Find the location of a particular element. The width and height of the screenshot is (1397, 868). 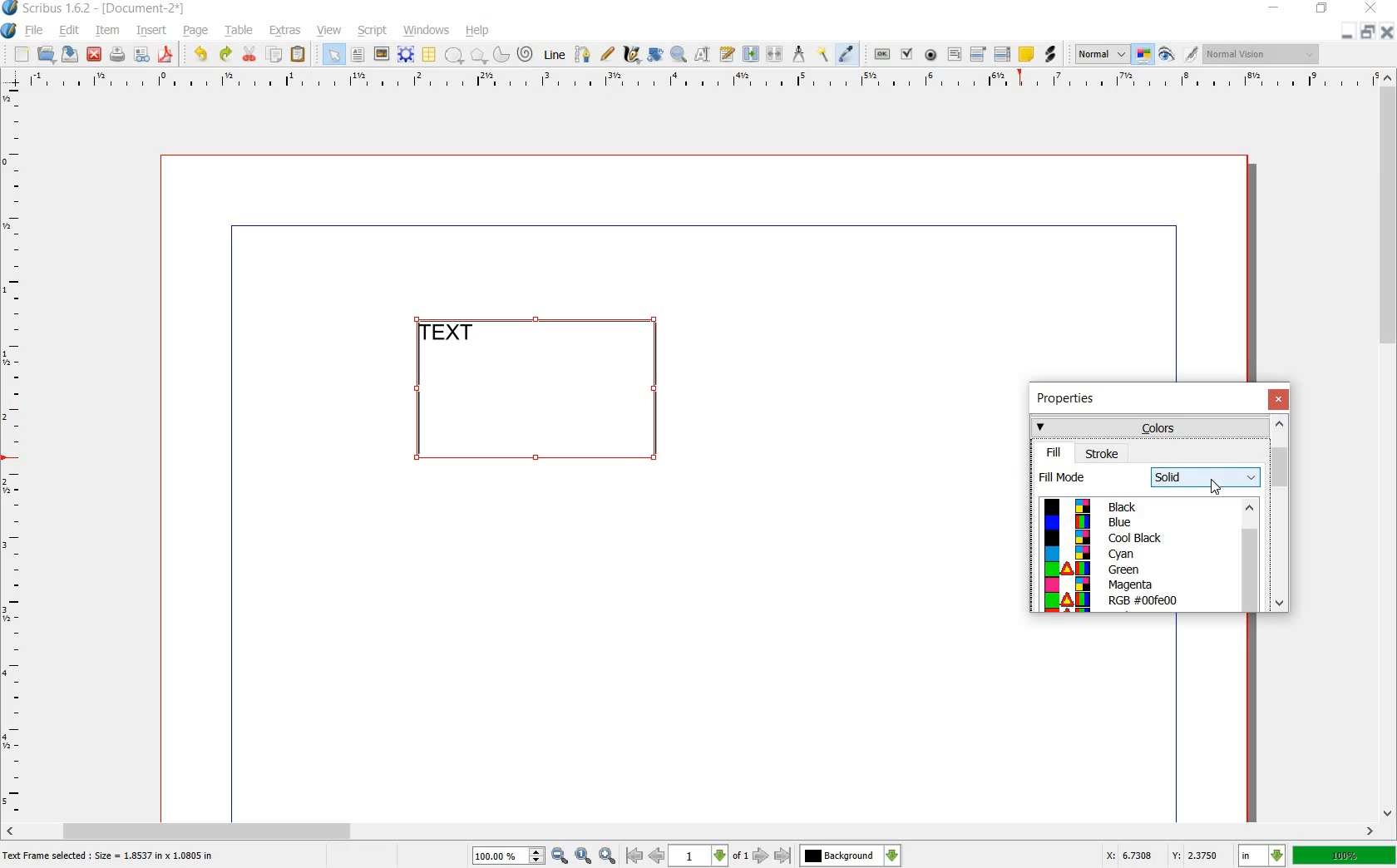

help is located at coordinates (478, 31).